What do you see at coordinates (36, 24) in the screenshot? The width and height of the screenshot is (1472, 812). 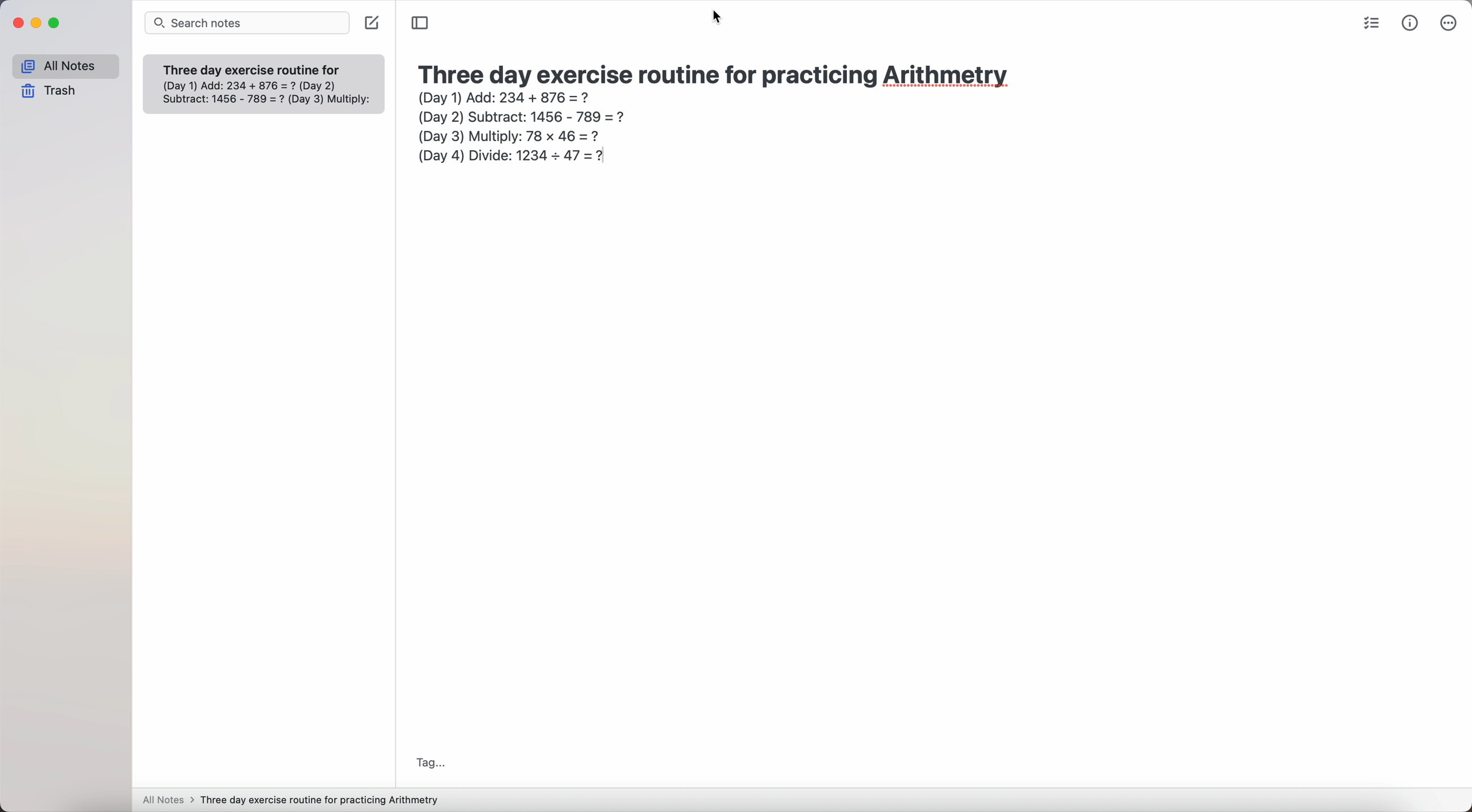 I see `minimize` at bounding box center [36, 24].